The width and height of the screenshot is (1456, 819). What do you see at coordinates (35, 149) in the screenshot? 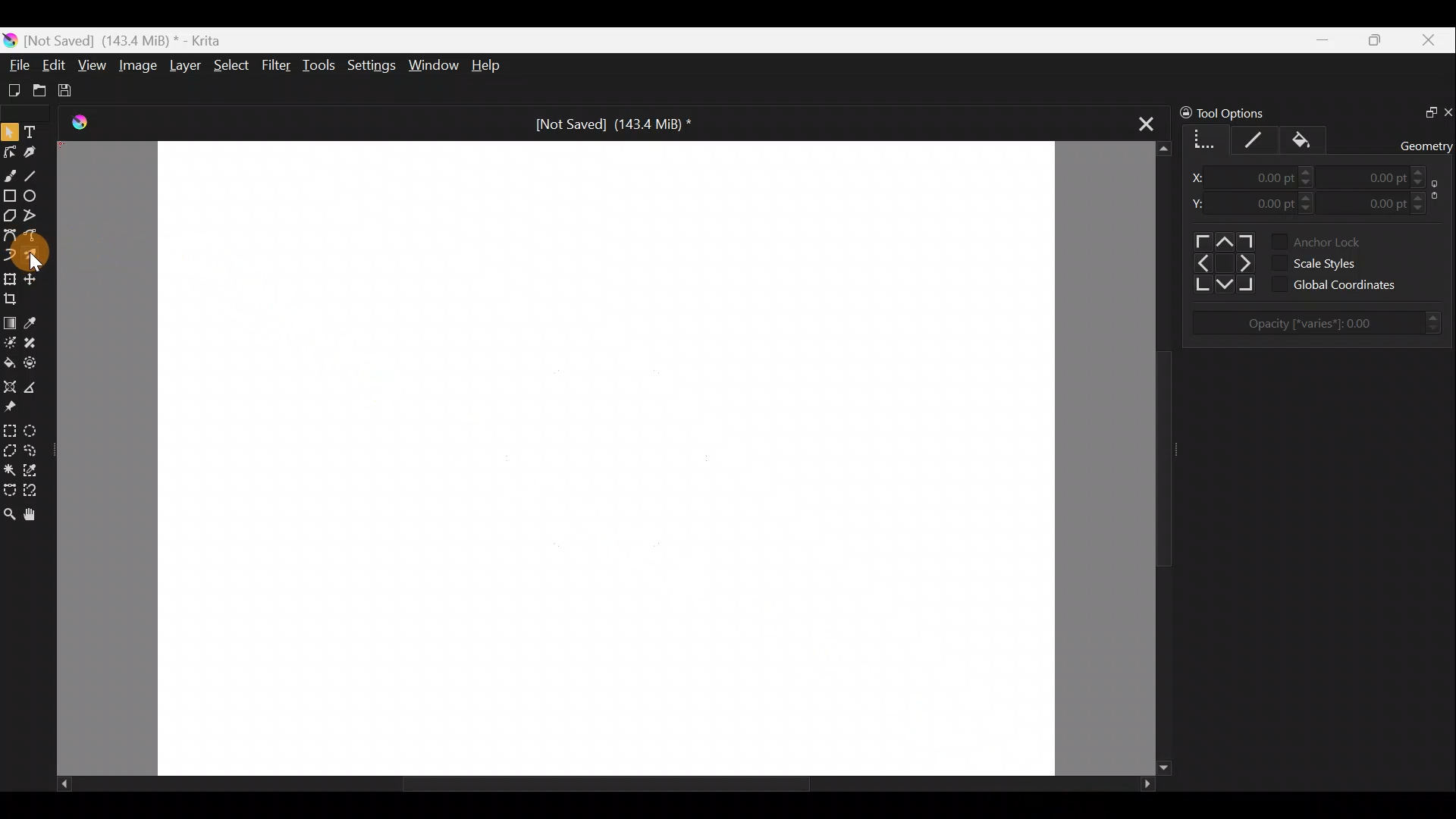
I see `Calligraphy` at bounding box center [35, 149].